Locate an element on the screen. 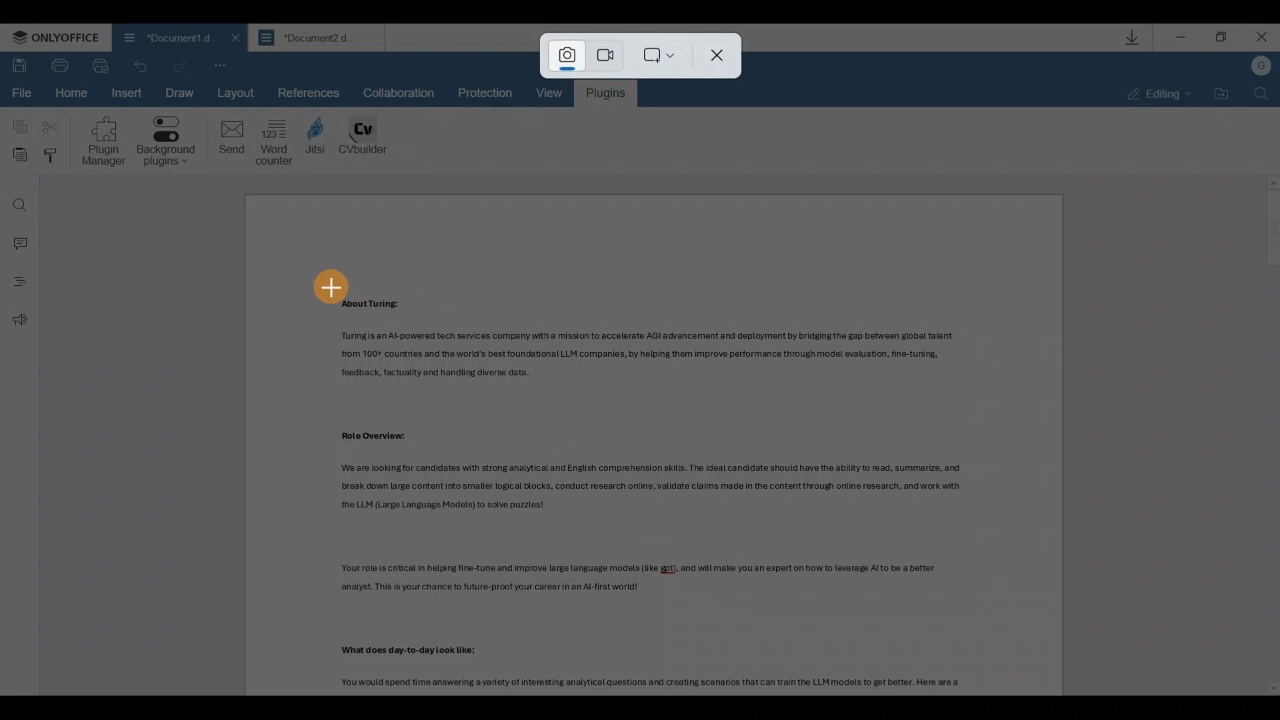 Image resolution: width=1280 pixels, height=720 pixels. Working area is located at coordinates (656, 444).